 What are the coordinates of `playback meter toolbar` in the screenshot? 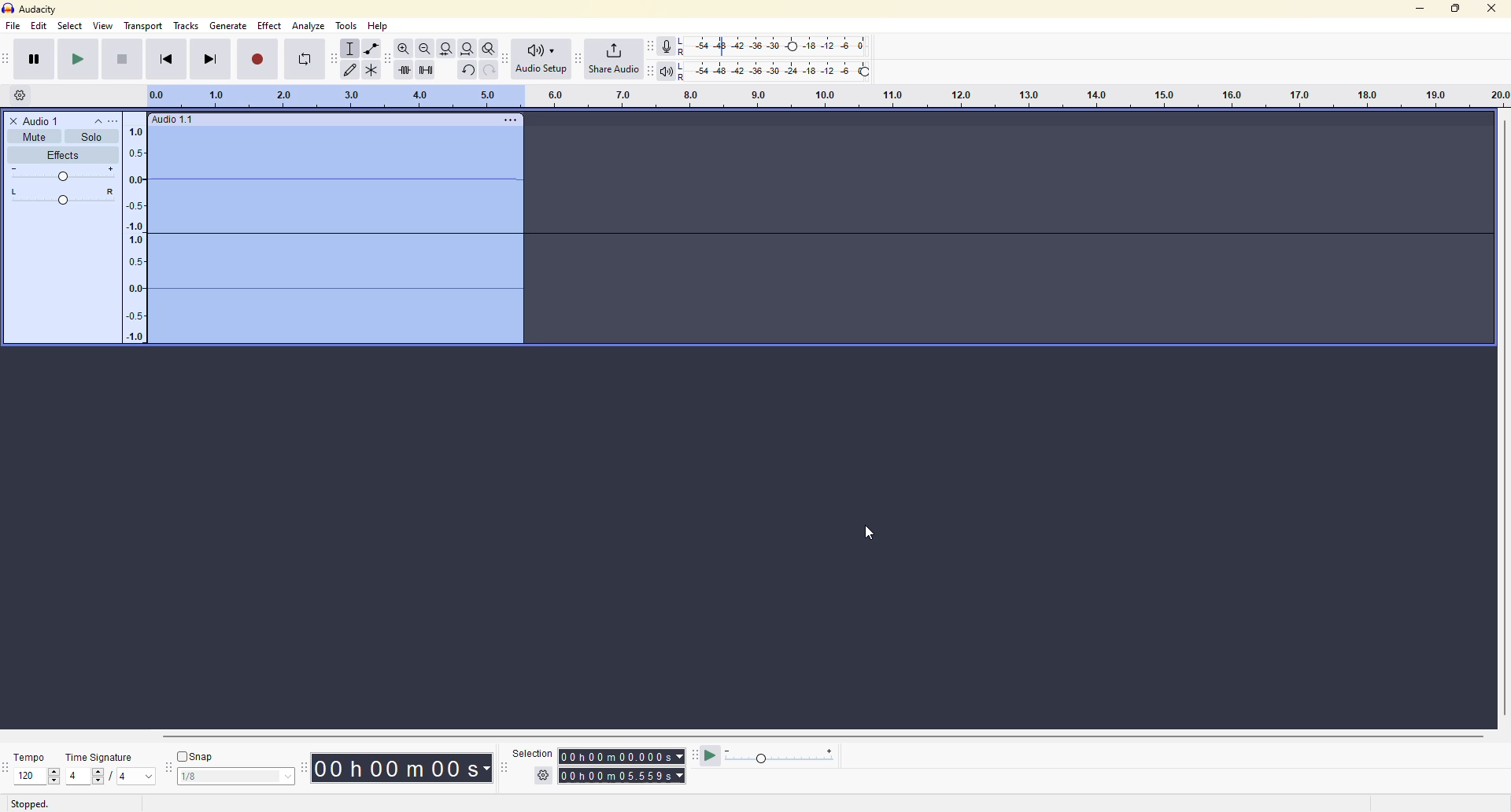 It's located at (650, 69).